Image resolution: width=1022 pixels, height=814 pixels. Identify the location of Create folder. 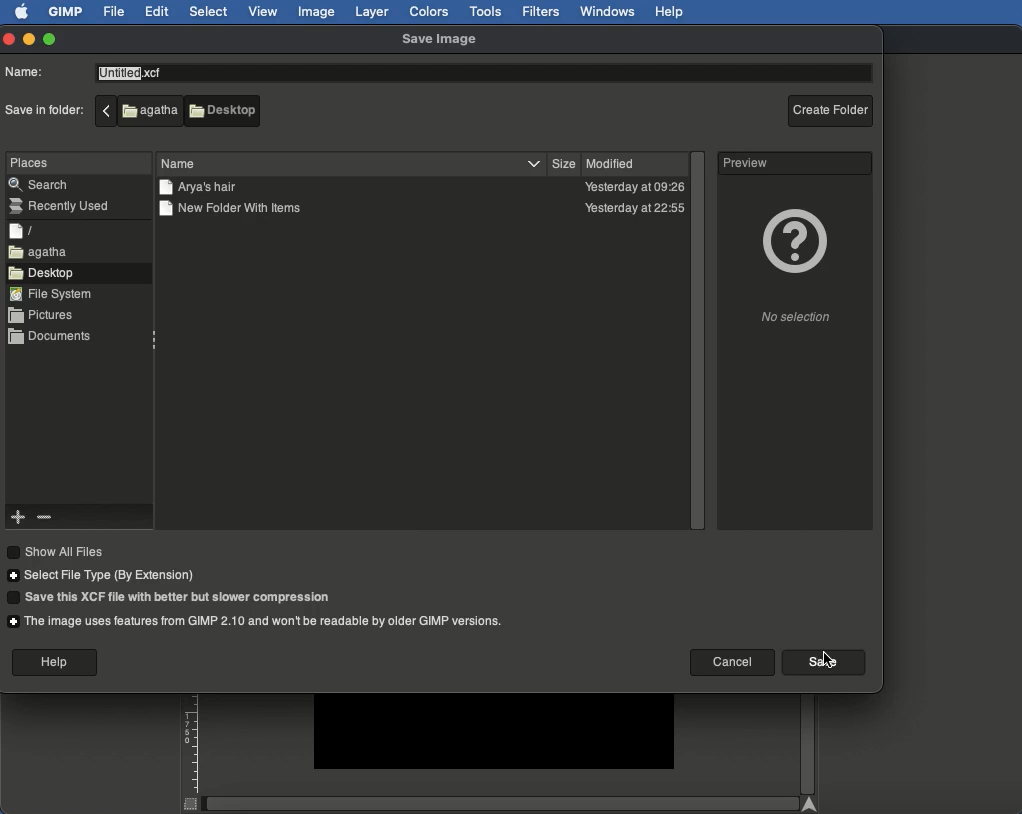
(830, 108).